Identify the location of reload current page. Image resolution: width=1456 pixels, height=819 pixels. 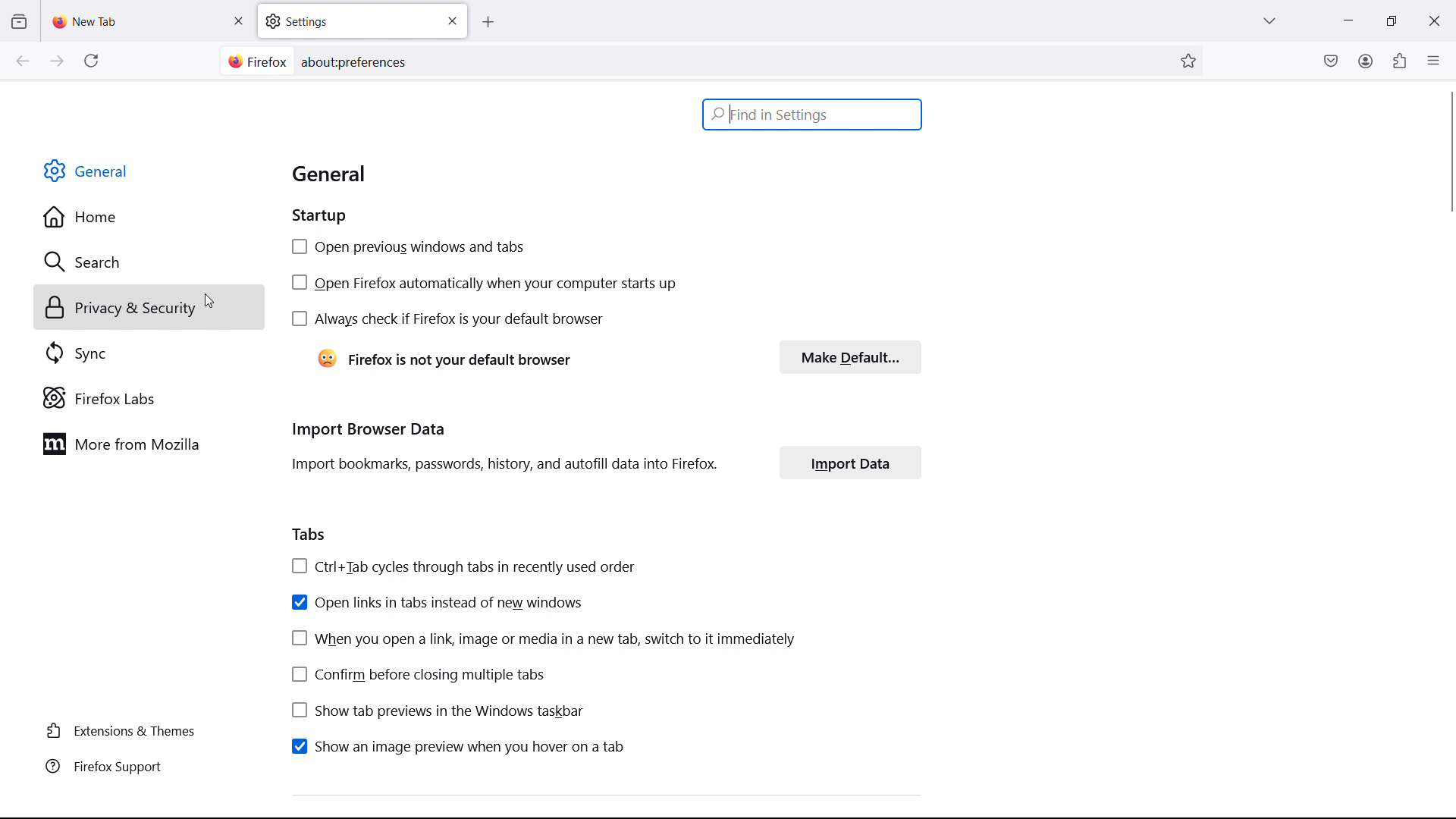
(91, 64).